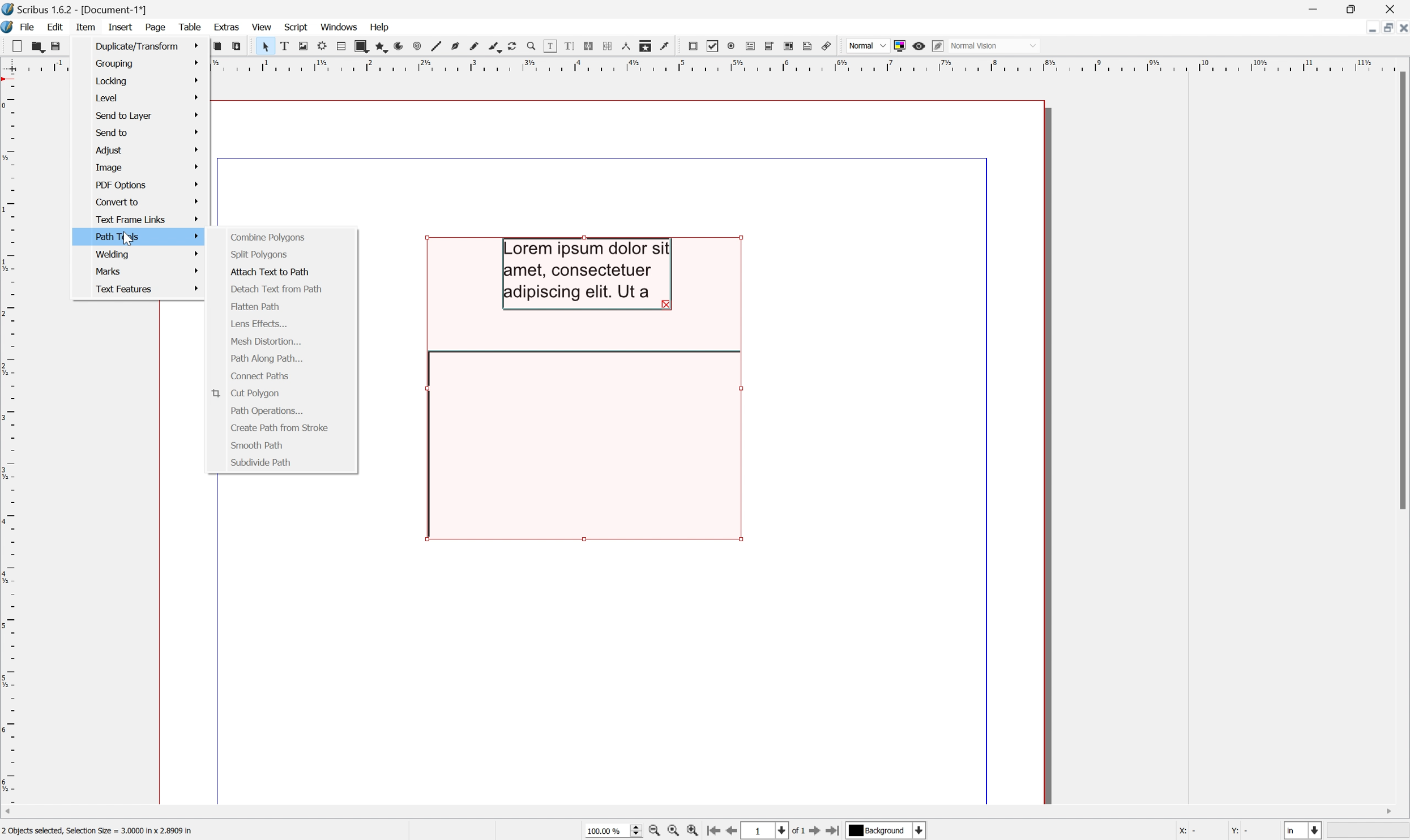 Image resolution: width=1410 pixels, height=840 pixels. Describe the element at coordinates (815, 830) in the screenshot. I see `Go to the next page` at that location.